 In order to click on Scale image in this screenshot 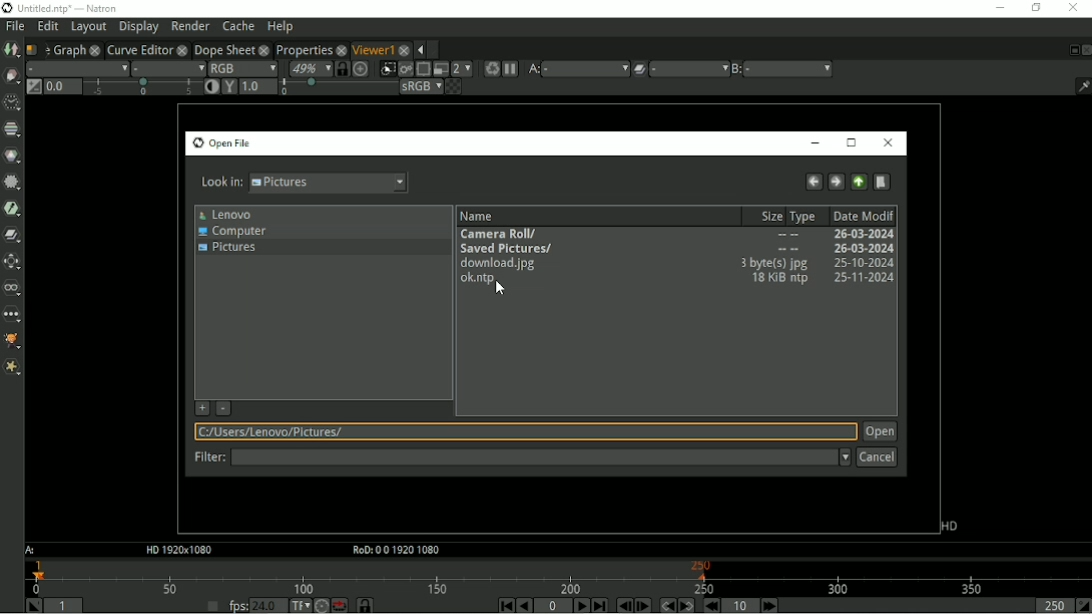, I will do `click(362, 68)`.